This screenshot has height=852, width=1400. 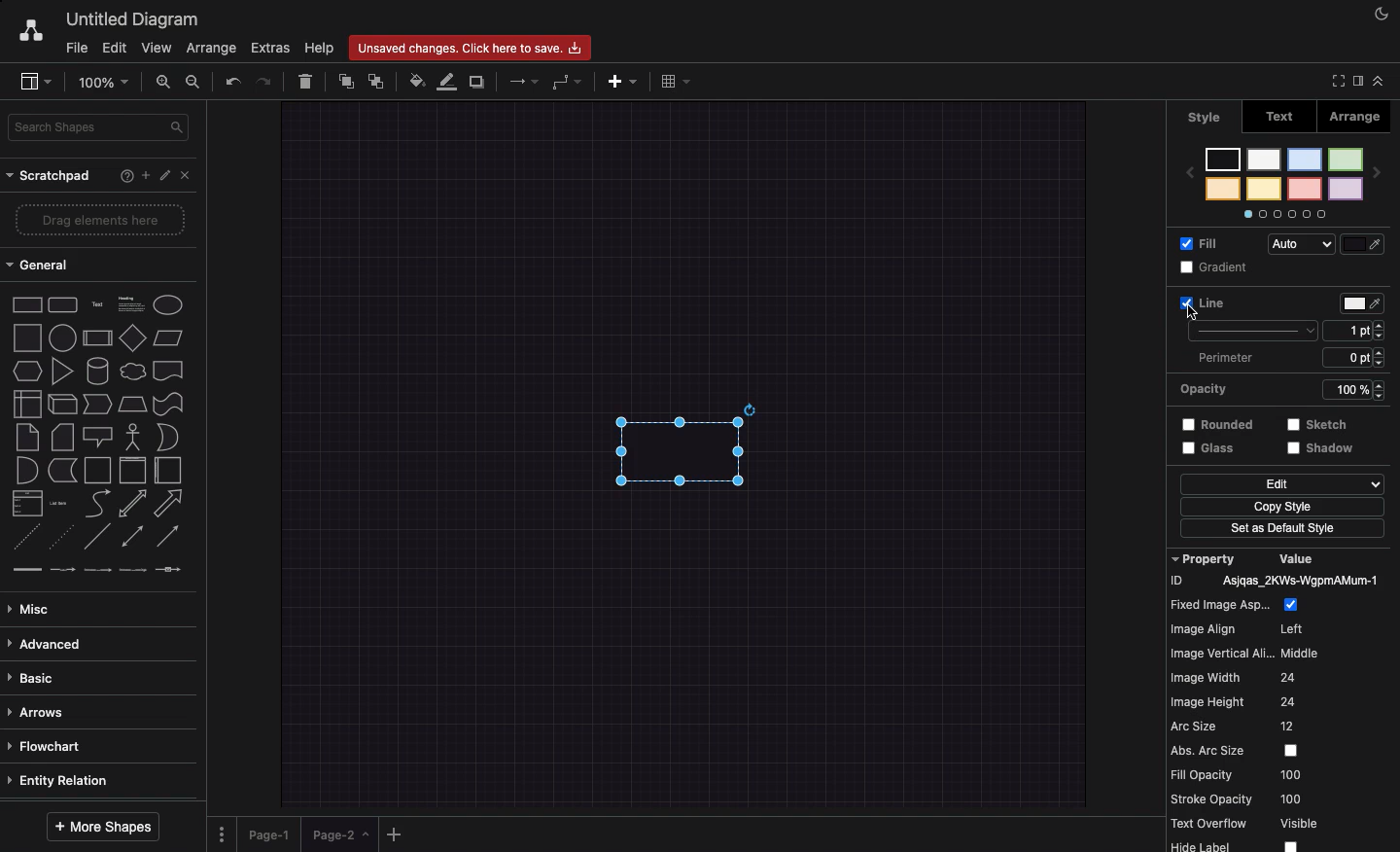 What do you see at coordinates (395, 834) in the screenshot?
I see `Add` at bounding box center [395, 834].